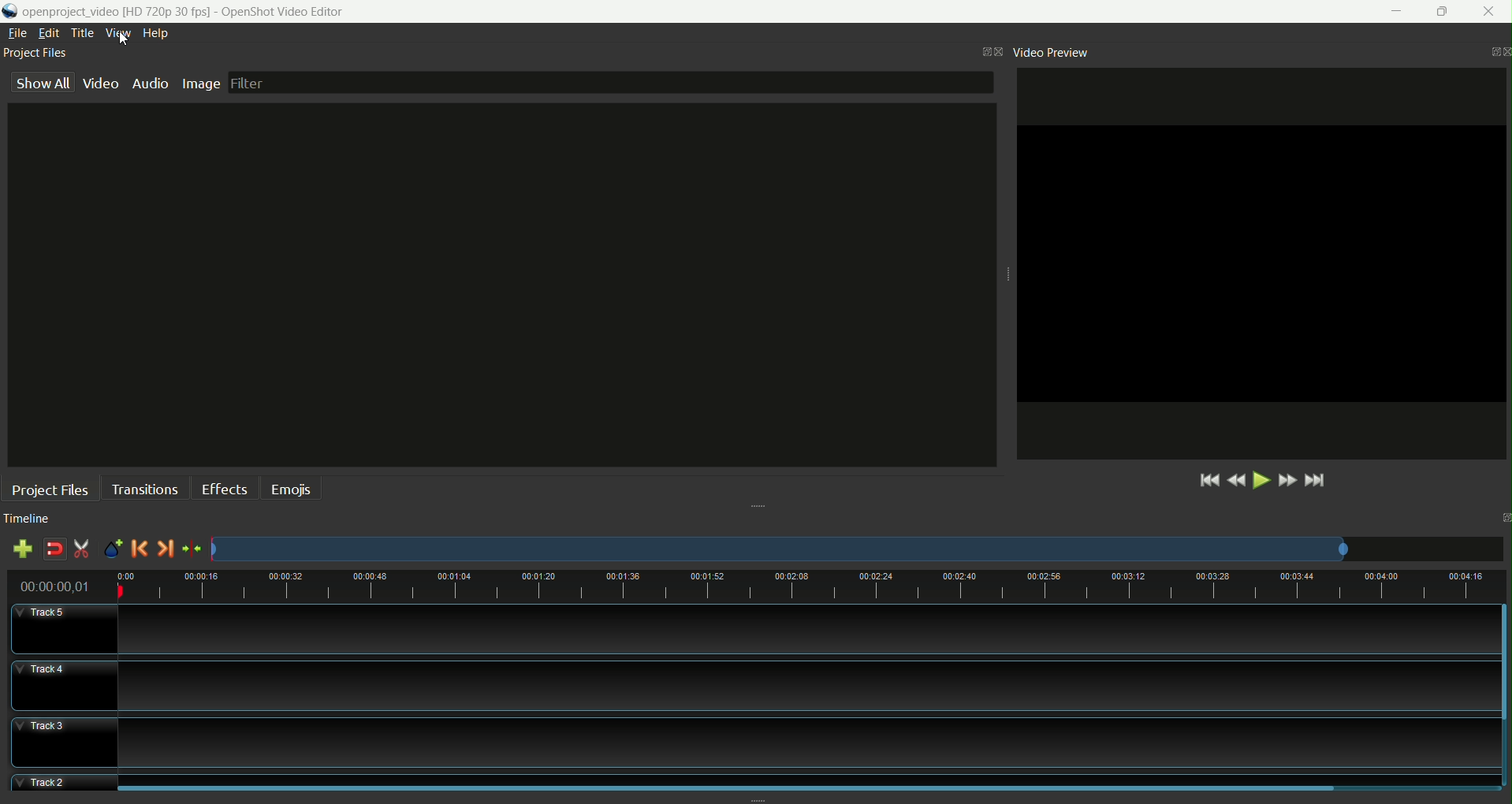 Image resolution: width=1512 pixels, height=804 pixels. What do you see at coordinates (1317, 482) in the screenshot?
I see `jump to end` at bounding box center [1317, 482].